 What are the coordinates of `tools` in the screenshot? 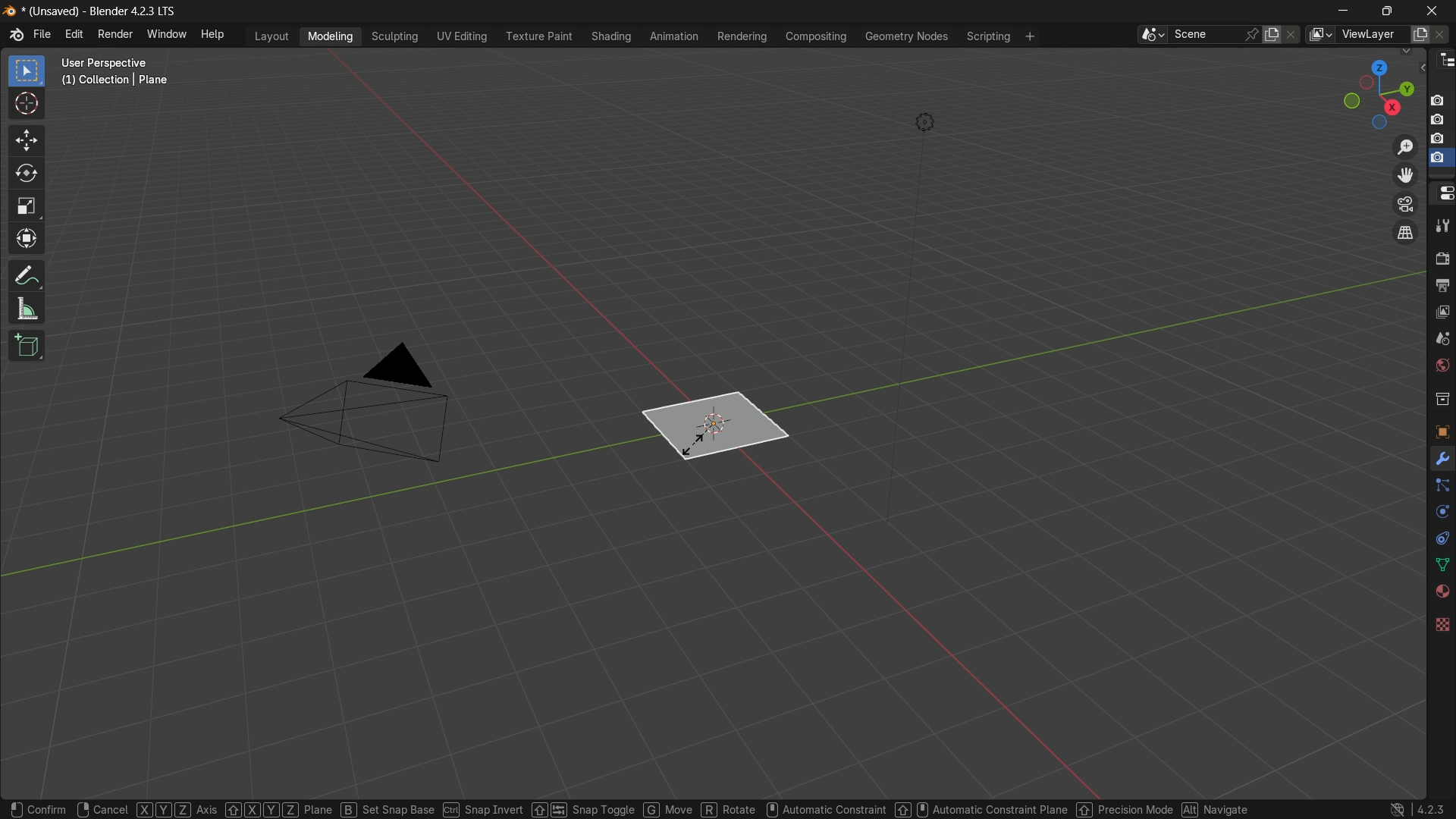 It's located at (1442, 227).